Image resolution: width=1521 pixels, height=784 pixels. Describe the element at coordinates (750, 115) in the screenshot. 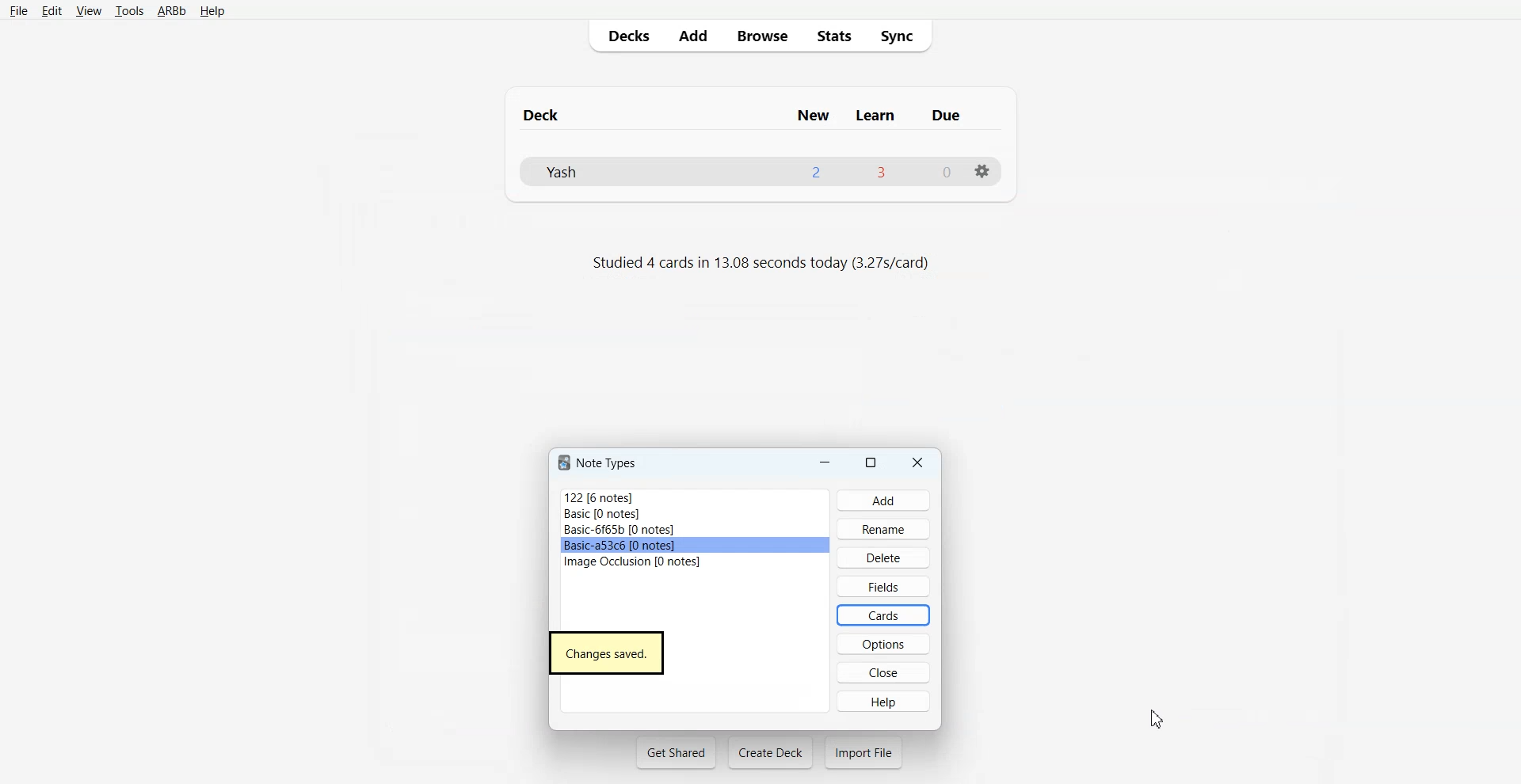

I see `Deck New Learn Due` at that location.